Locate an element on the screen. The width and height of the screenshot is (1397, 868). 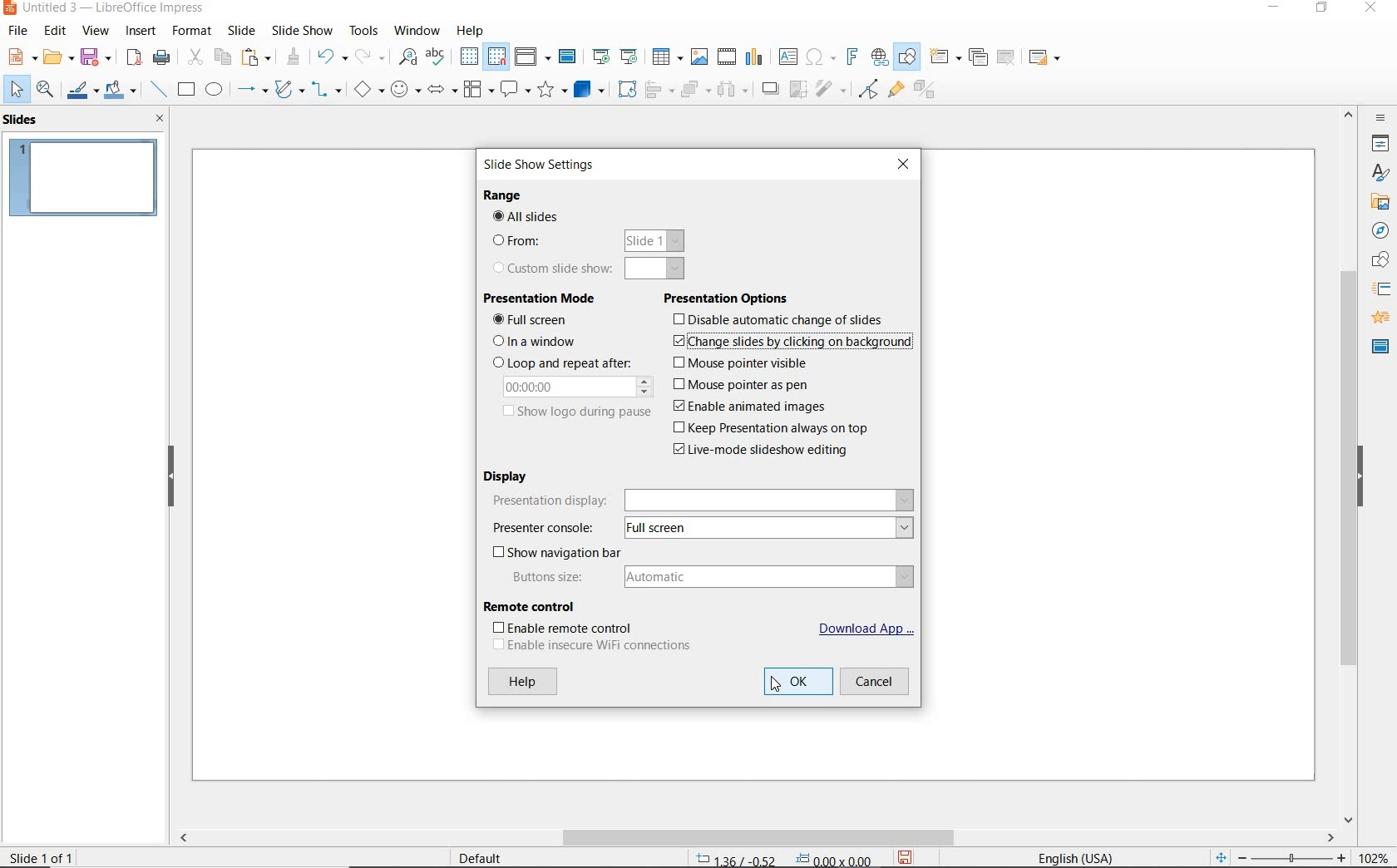
REMOTE CONTROL is located at coordinates (535, 608).